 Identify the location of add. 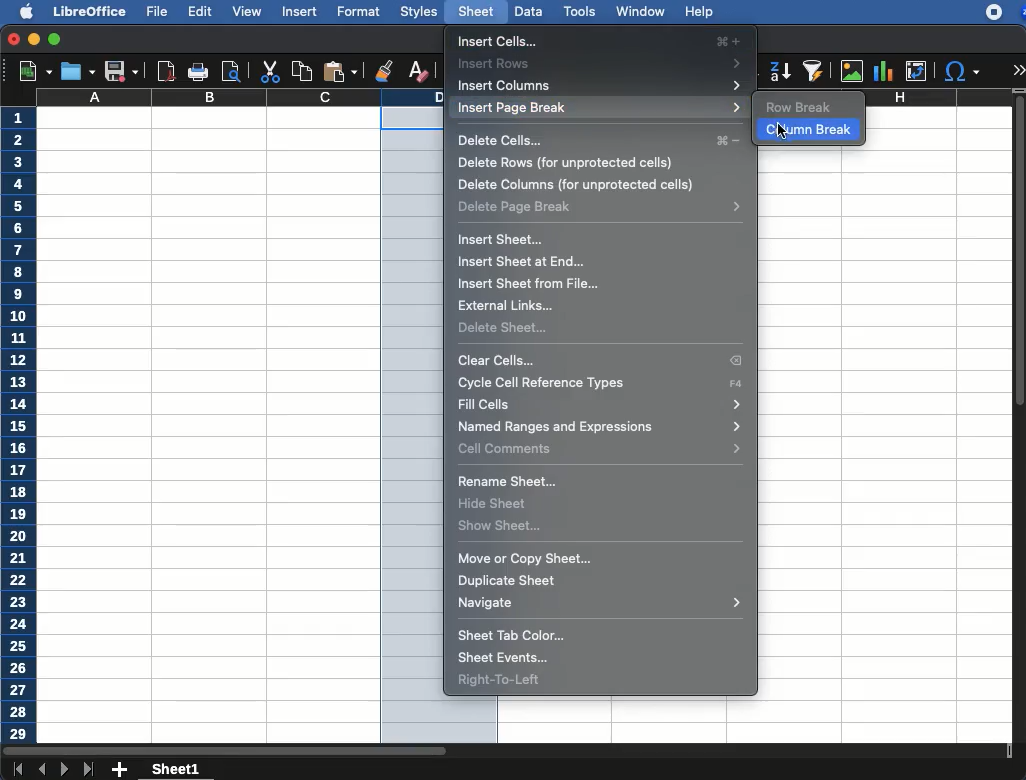
(120, 770).